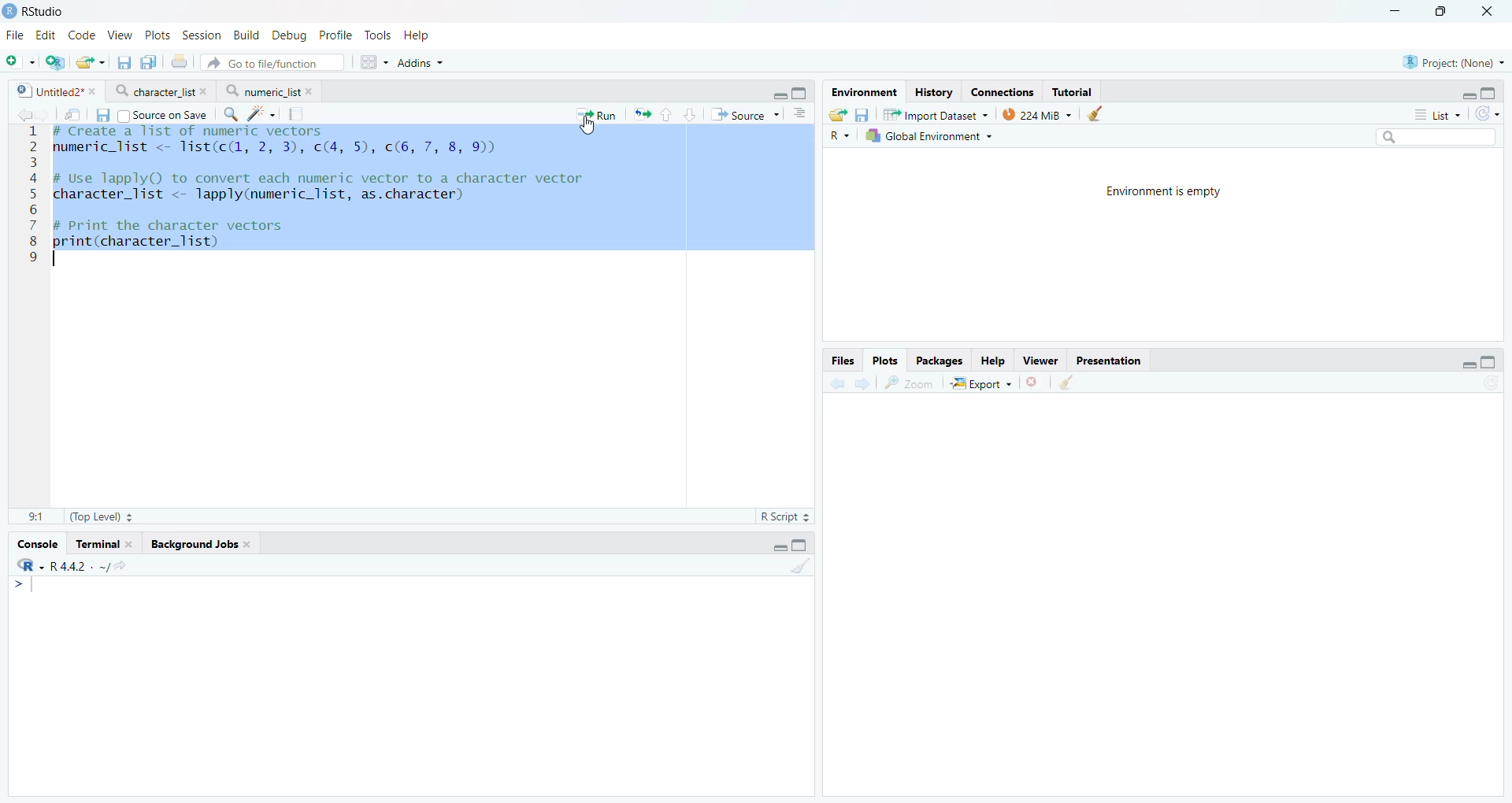  Describe the element at coordinates (102, 115) in the screenshot. I see `Save` at that location.